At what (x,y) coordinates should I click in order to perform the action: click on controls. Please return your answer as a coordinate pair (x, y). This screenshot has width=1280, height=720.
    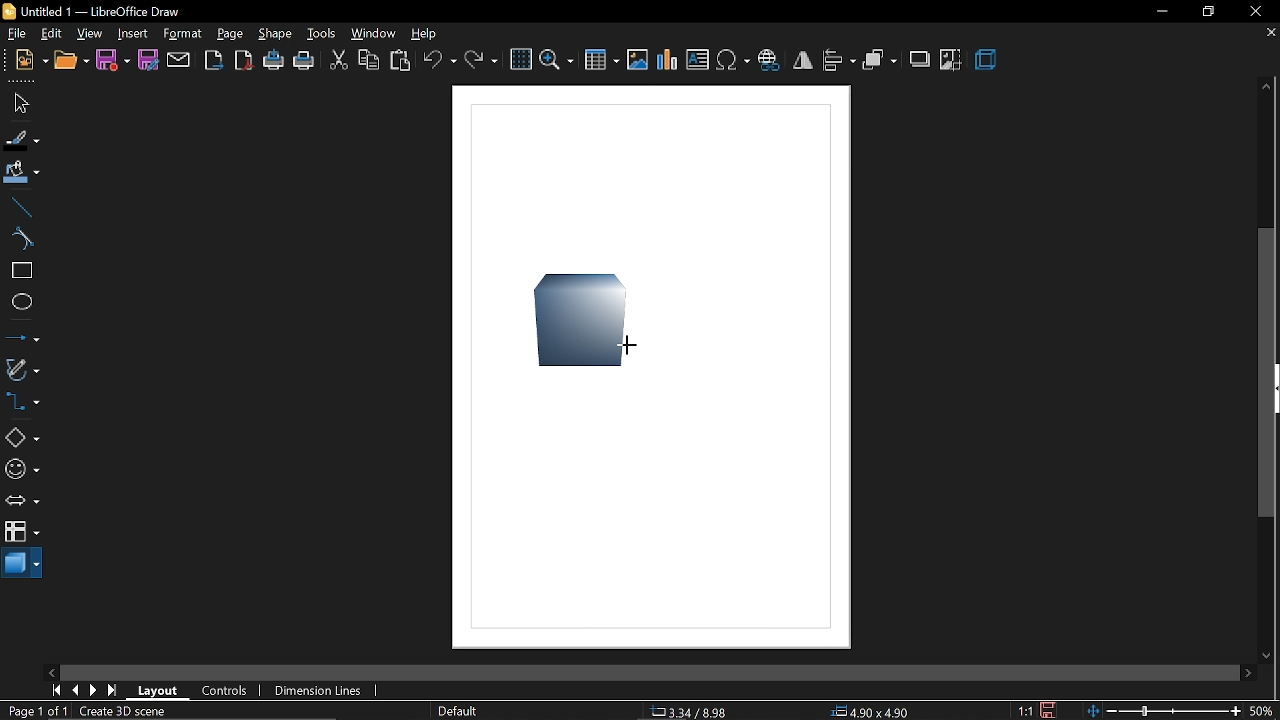
    Looking at the image, I should click on (227, 691).